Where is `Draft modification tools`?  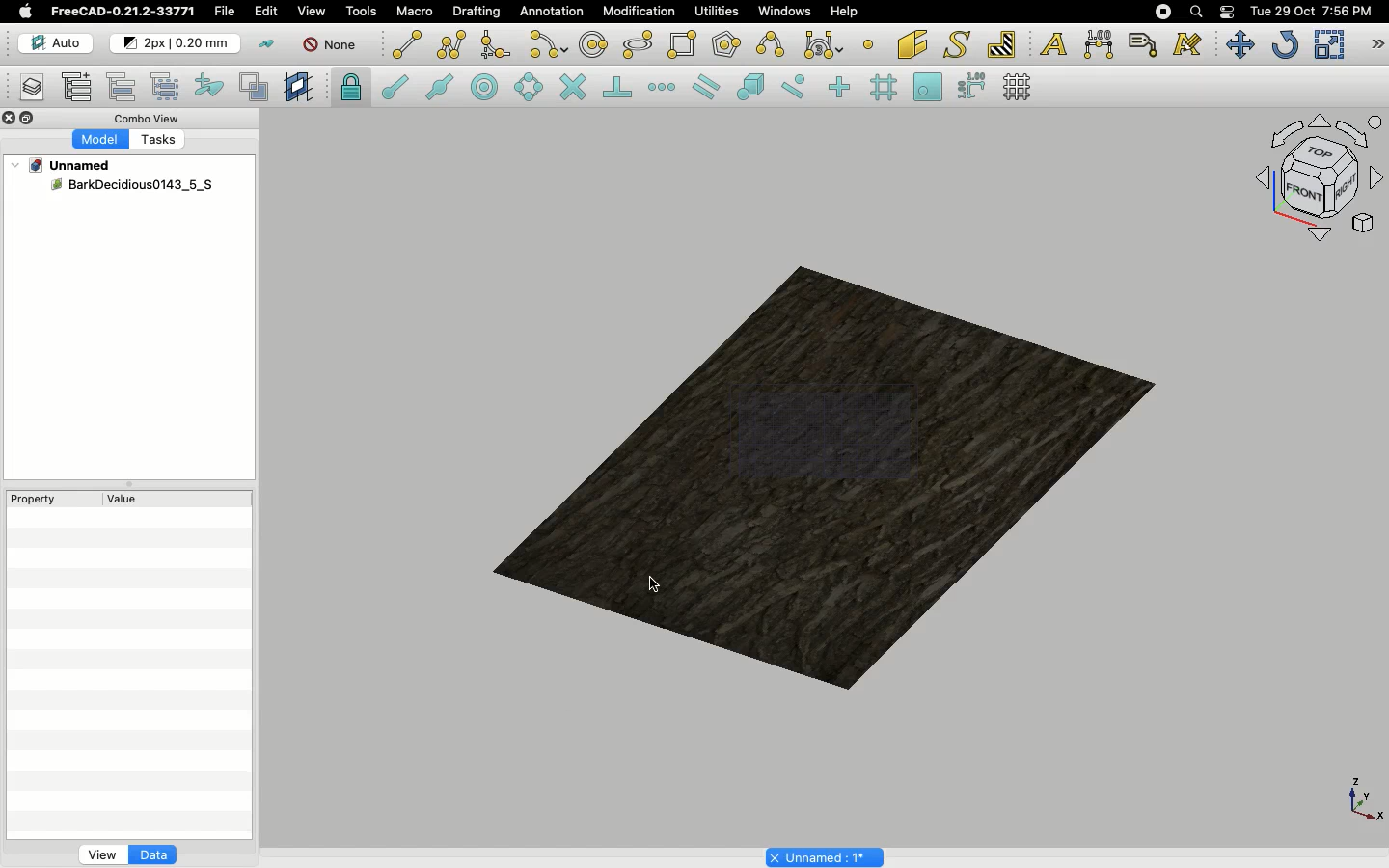
Draft modification tools is located at coordinates (1376, 46).